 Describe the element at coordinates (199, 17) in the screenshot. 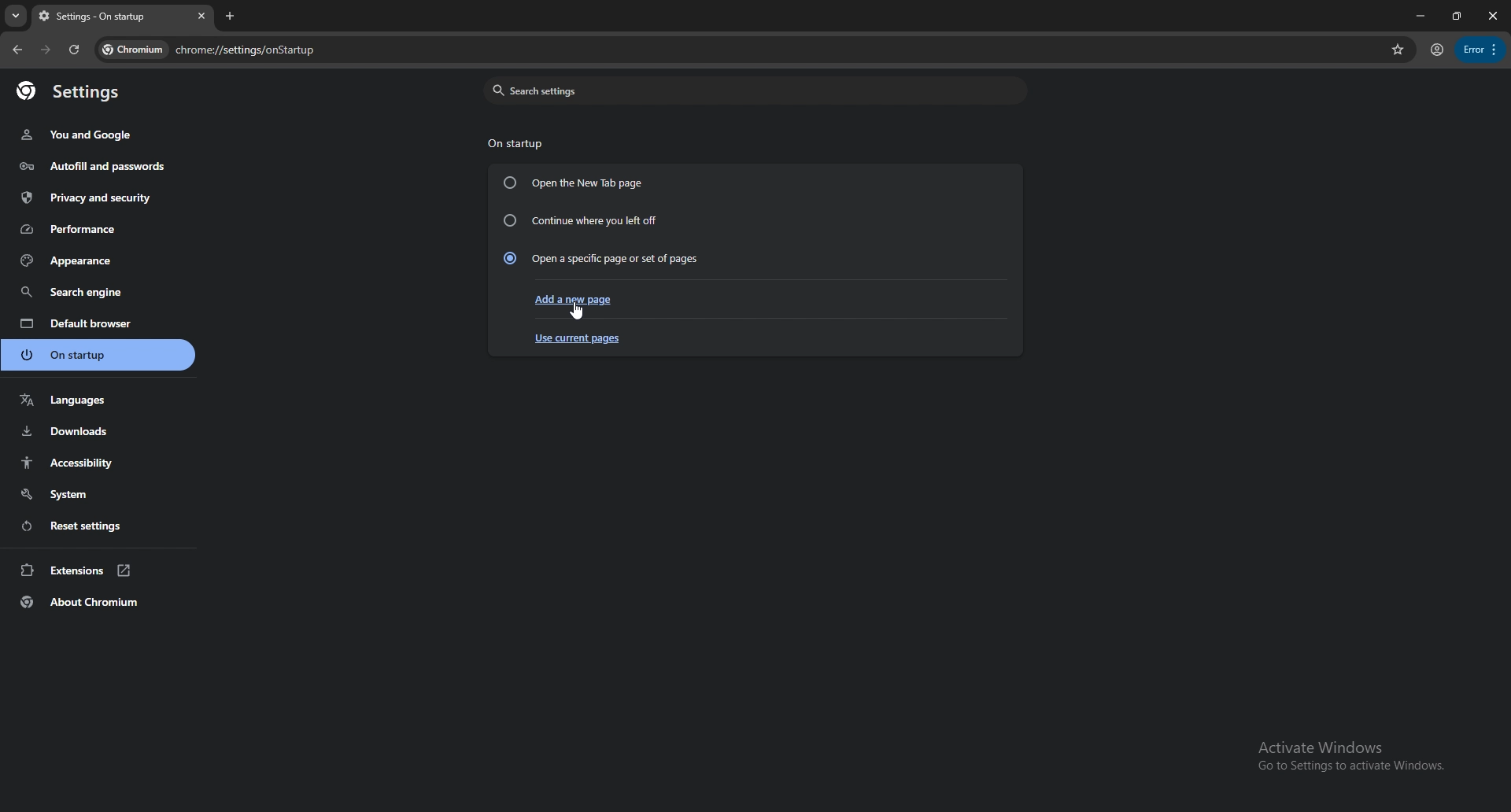

I see `close tab` at that location.